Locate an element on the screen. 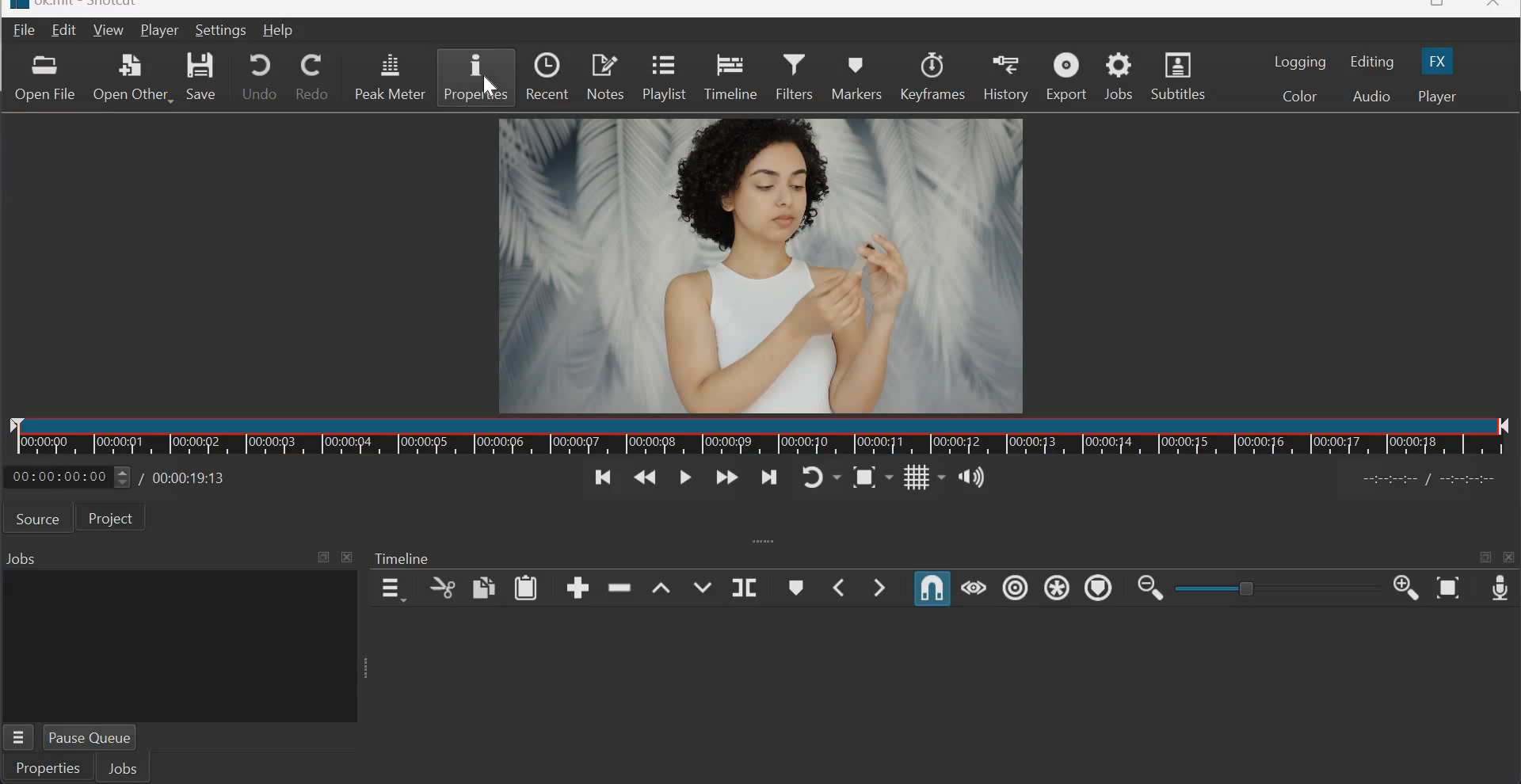 Image resolution: width=1521 pixels, height=784 pixels. Previous Marker is located at coordinates (840, 587).